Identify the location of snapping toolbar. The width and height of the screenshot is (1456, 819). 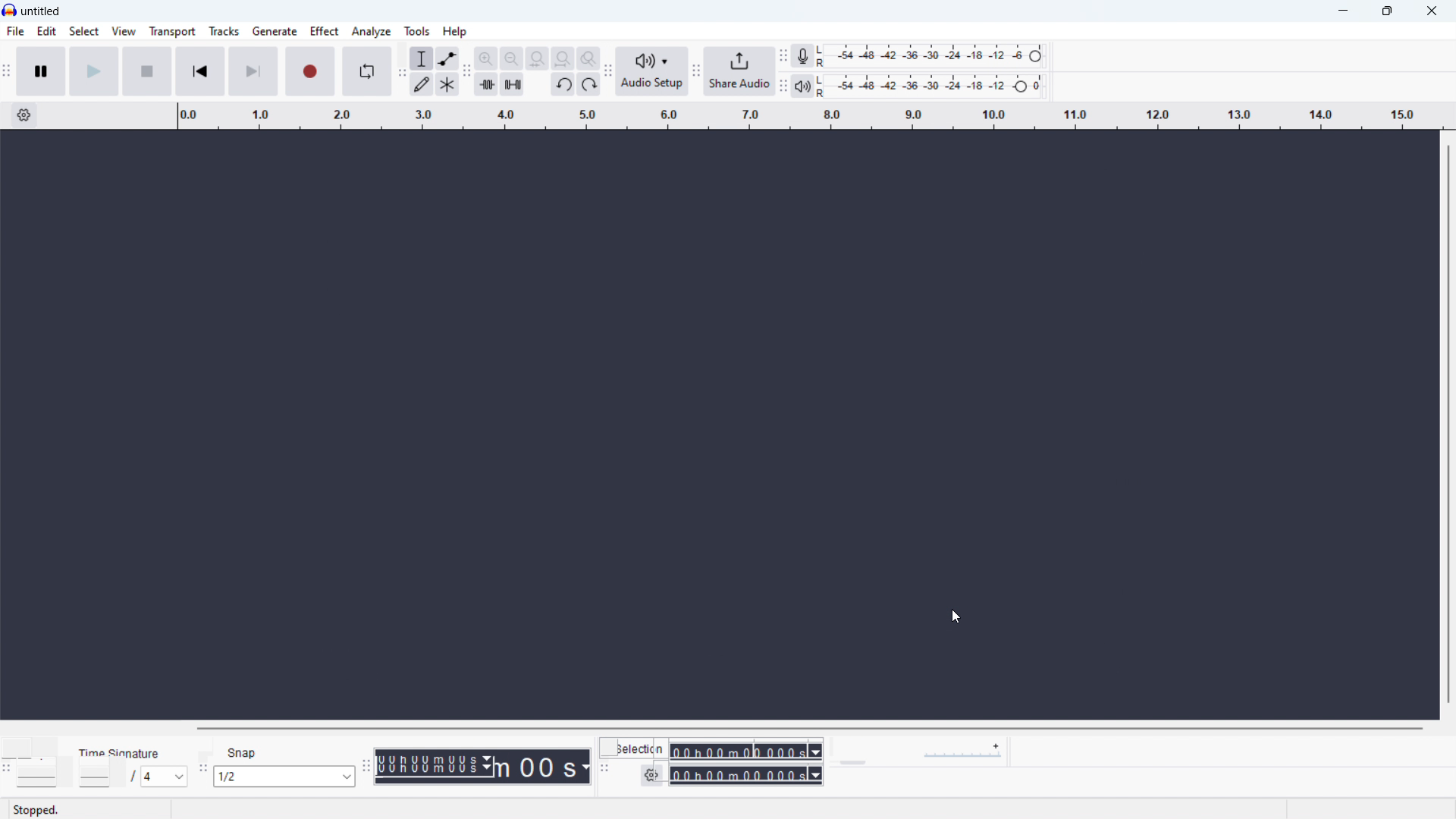
(201, 768).